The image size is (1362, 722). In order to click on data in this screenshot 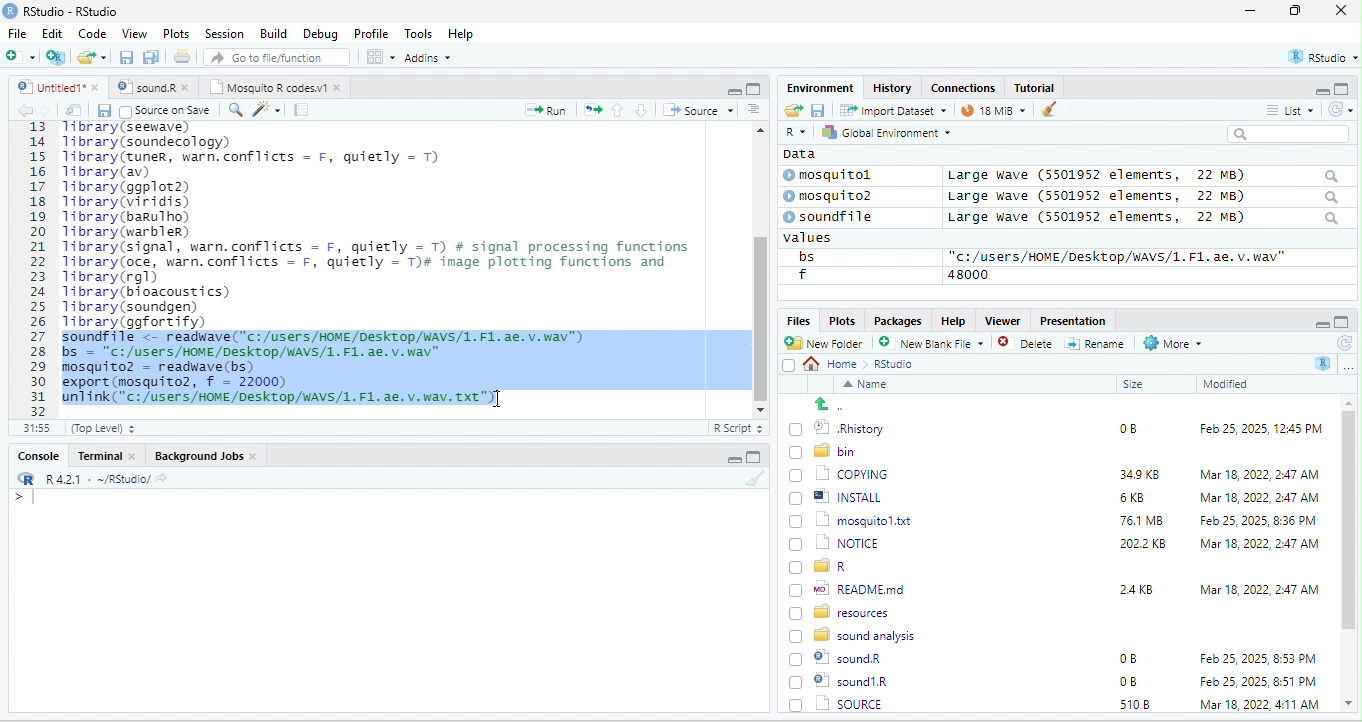, I will do `click(797, 153)`.